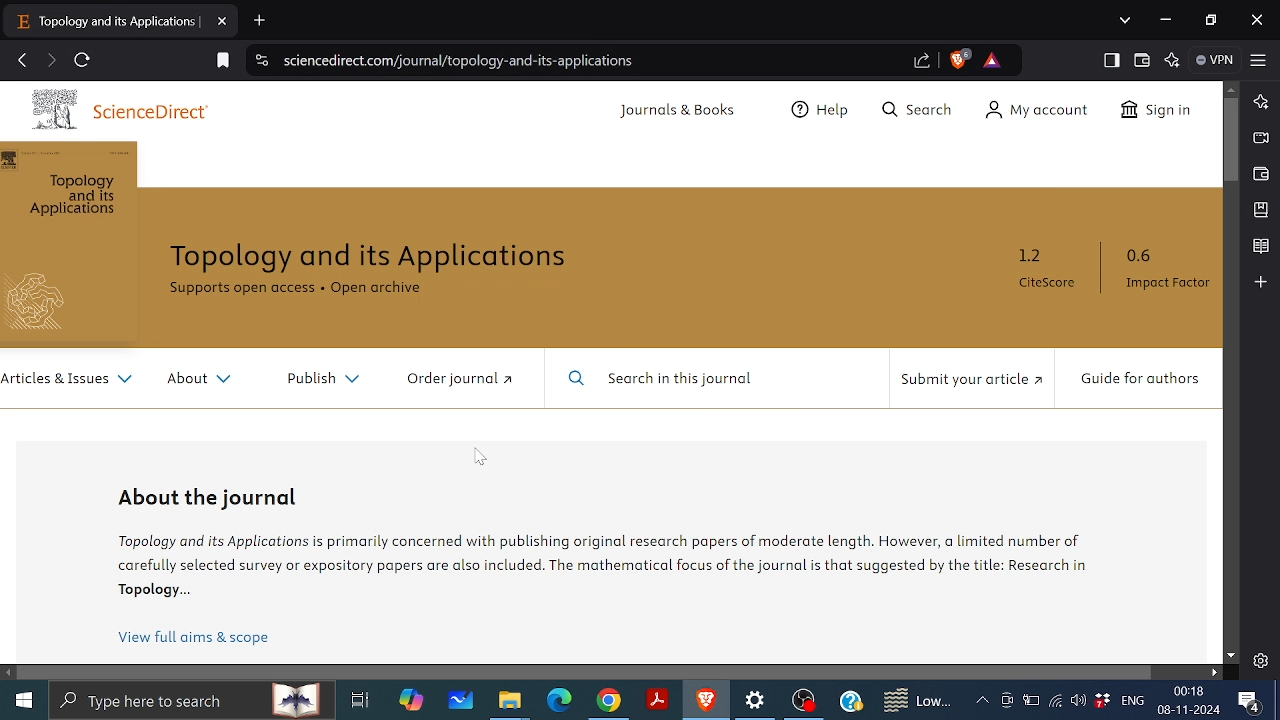 The height and width of the screenshot is (720, 1280). What do you see at coordinates (1141, 59) in the screenshot?
I see `Wallet` at bounding box center [1141, 59].